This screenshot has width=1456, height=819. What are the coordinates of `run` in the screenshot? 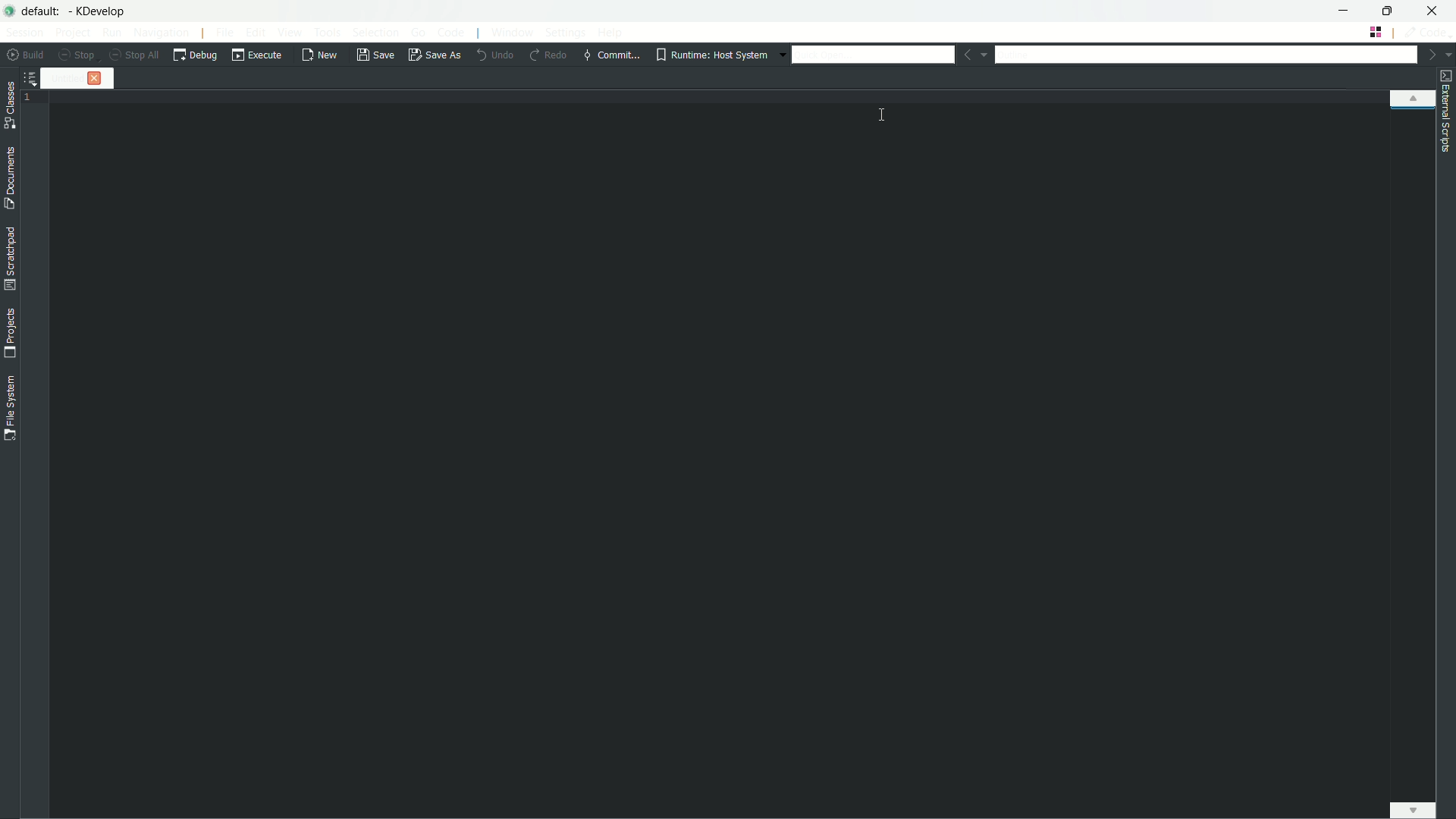 It's located at (111, 32).